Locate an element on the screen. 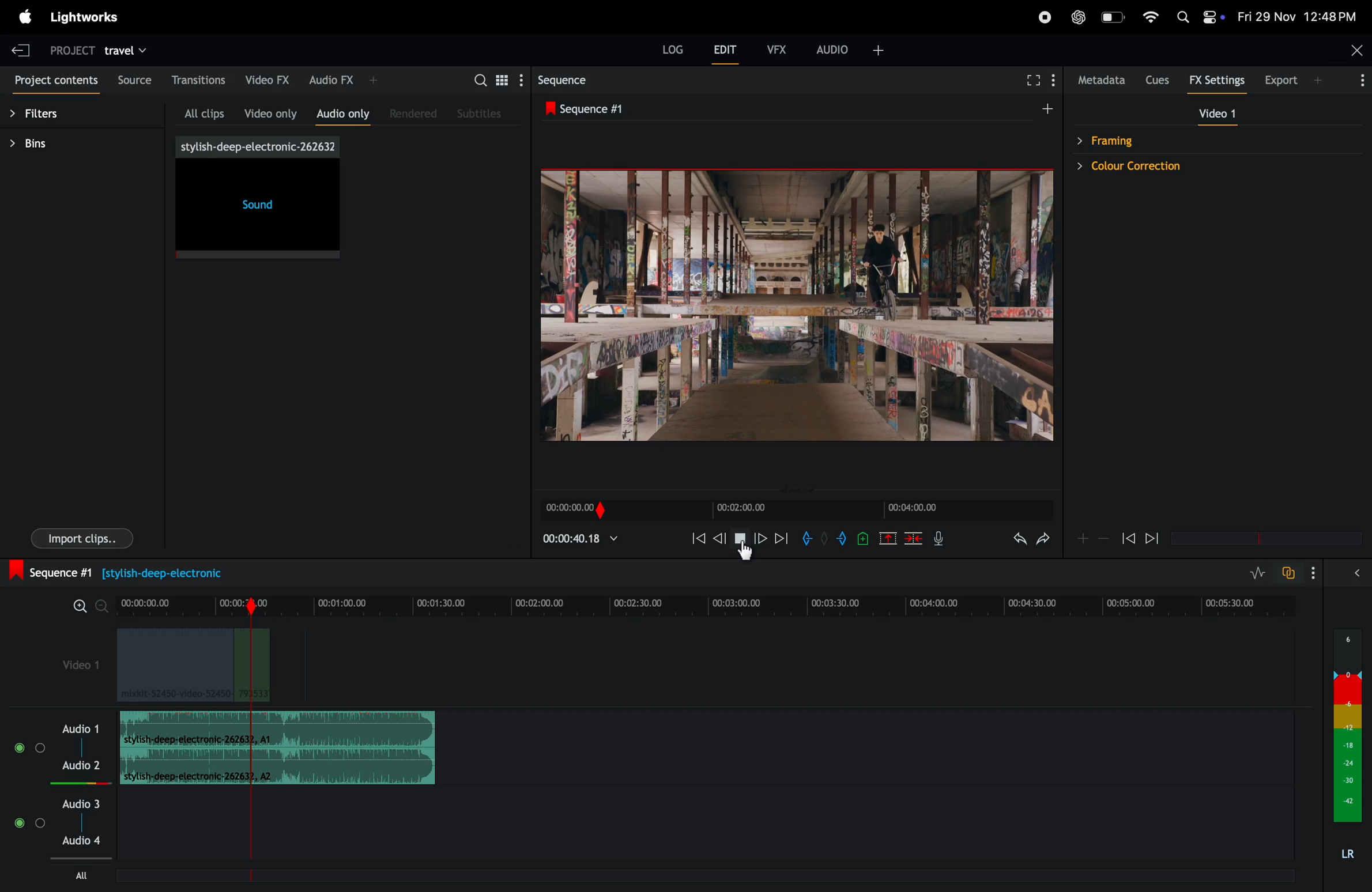 The image size is (1372, 892). mic is located at coordinates (944, 541).